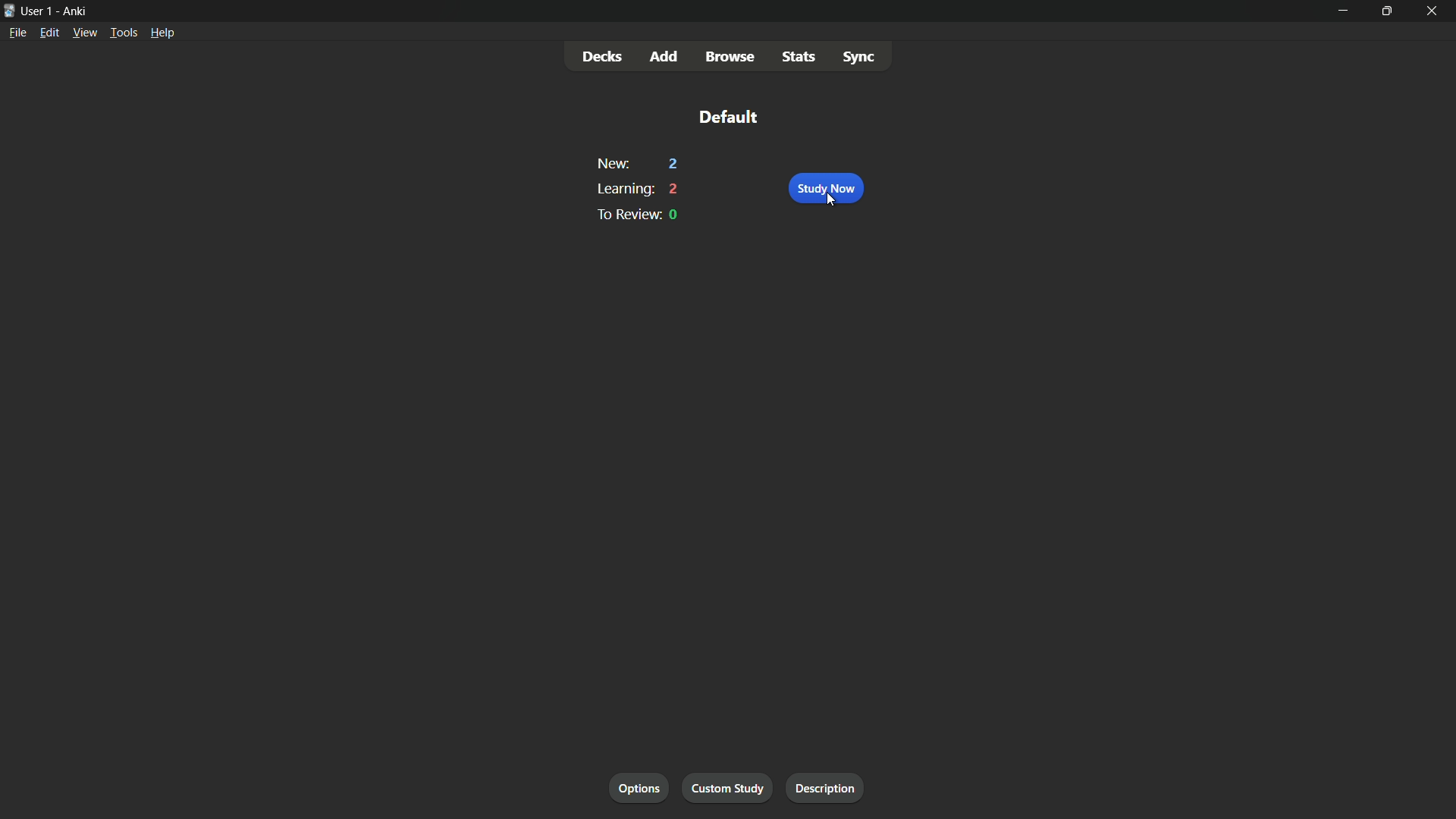 This screenshot has width=1456, height=819. I want to click on add, so click(667, 57).